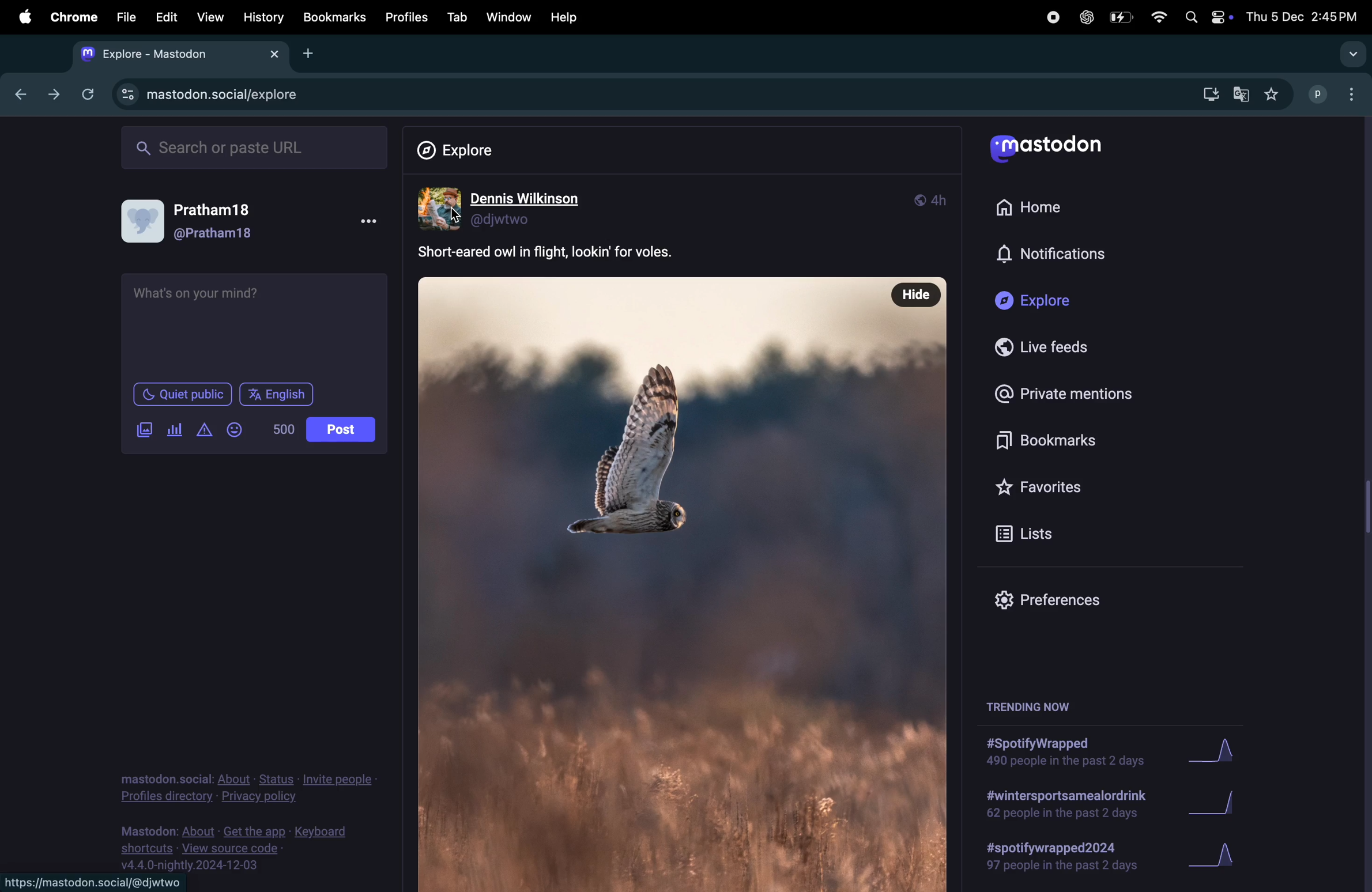 This screenshot has height=892, width=1372. What do you see at coordinates (87, 93) in the screenshot?
I see `refresh` at bounding box center [87, 93].